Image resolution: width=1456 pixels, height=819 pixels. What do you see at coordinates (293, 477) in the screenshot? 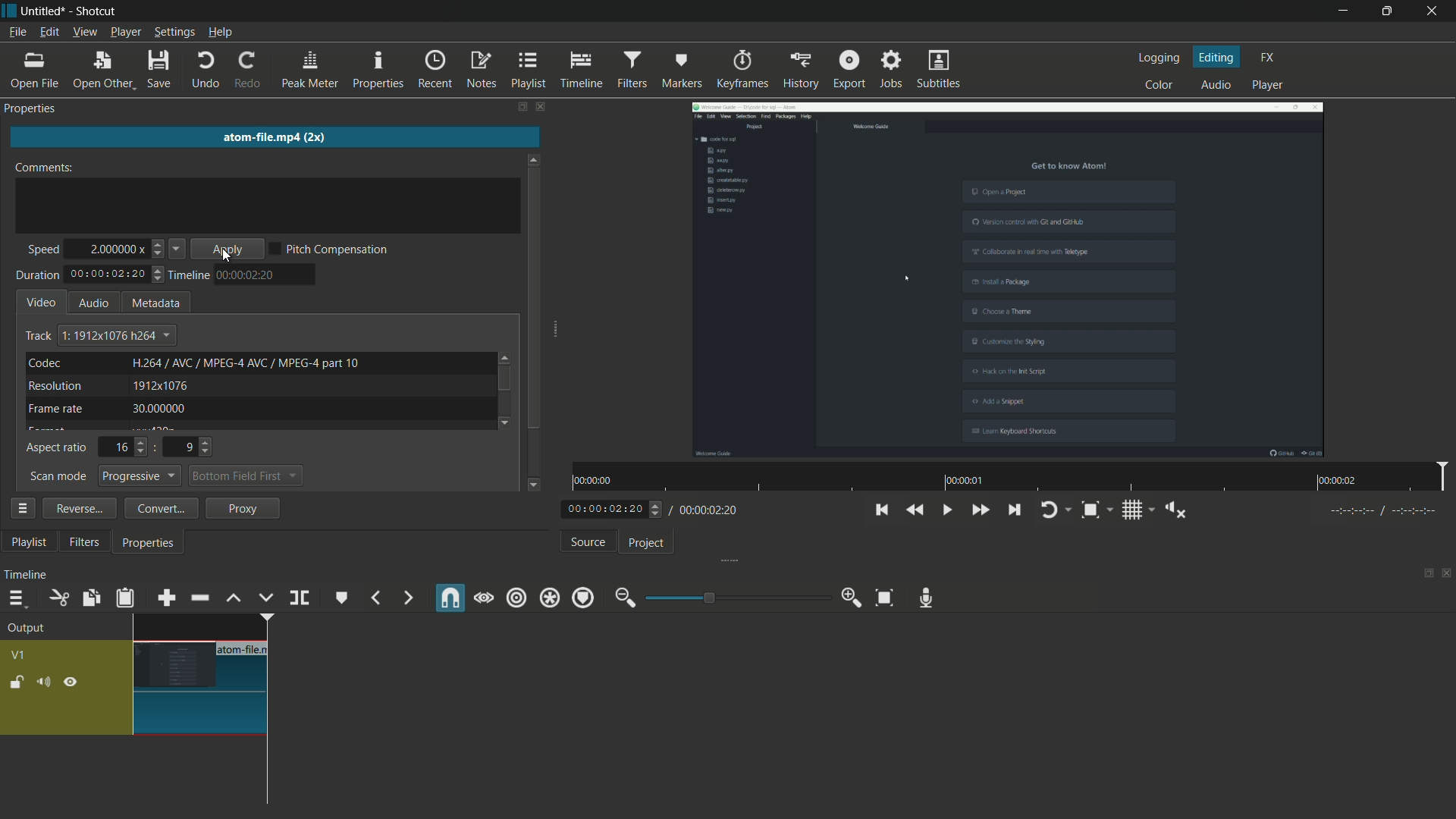
I see `dropdown` at bounding box center [293, 477].